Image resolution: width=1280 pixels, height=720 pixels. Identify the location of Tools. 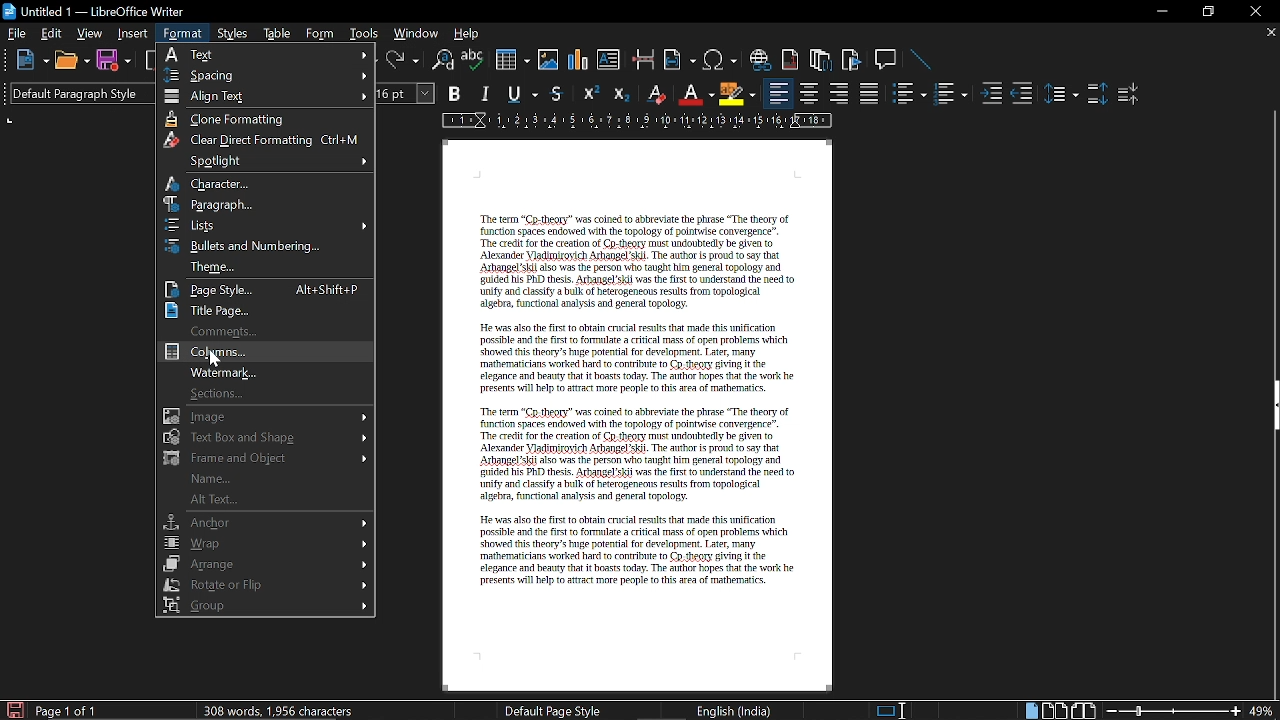
(364, 33).